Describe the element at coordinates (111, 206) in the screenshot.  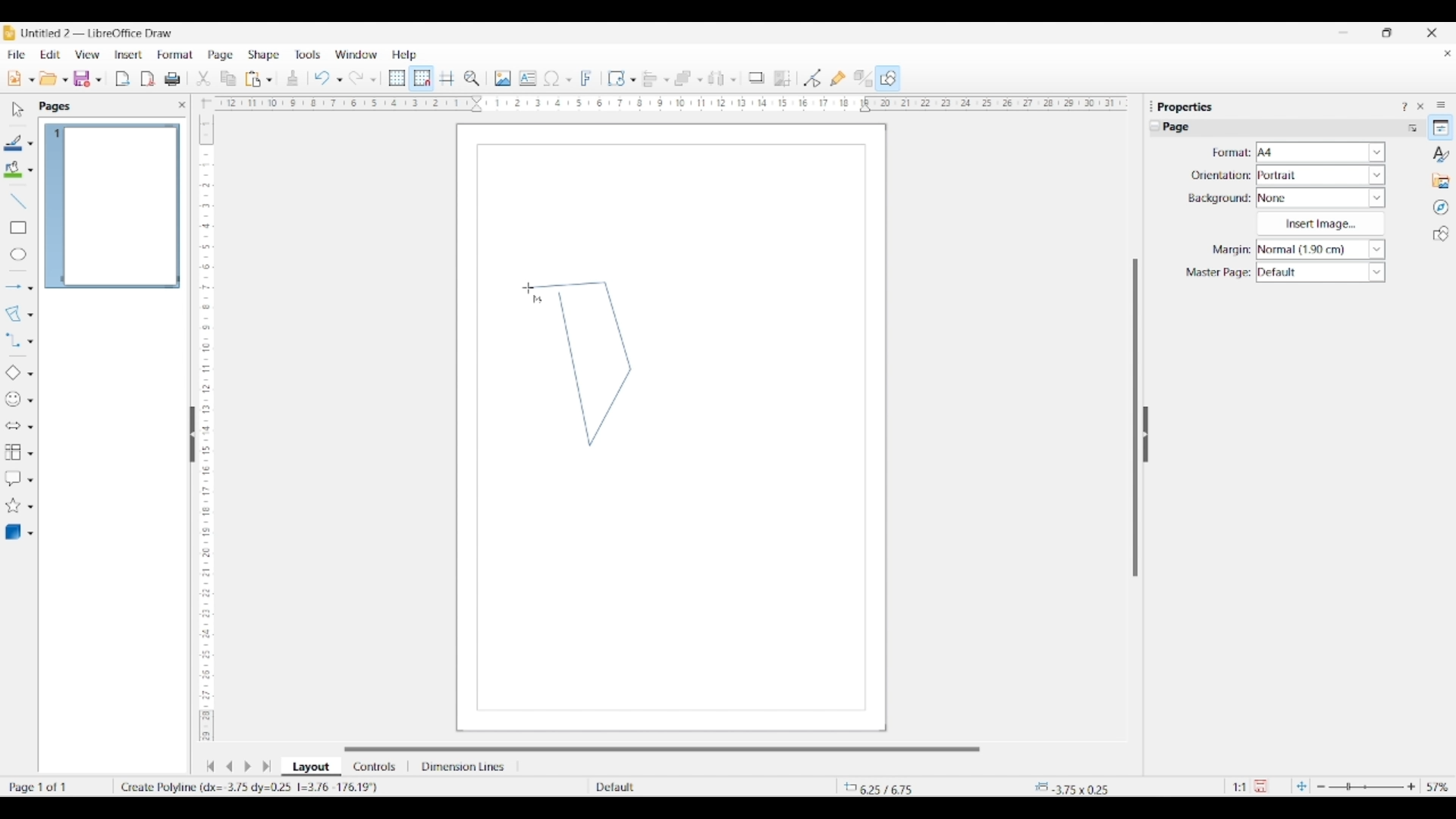
I see `Current page` at that location.